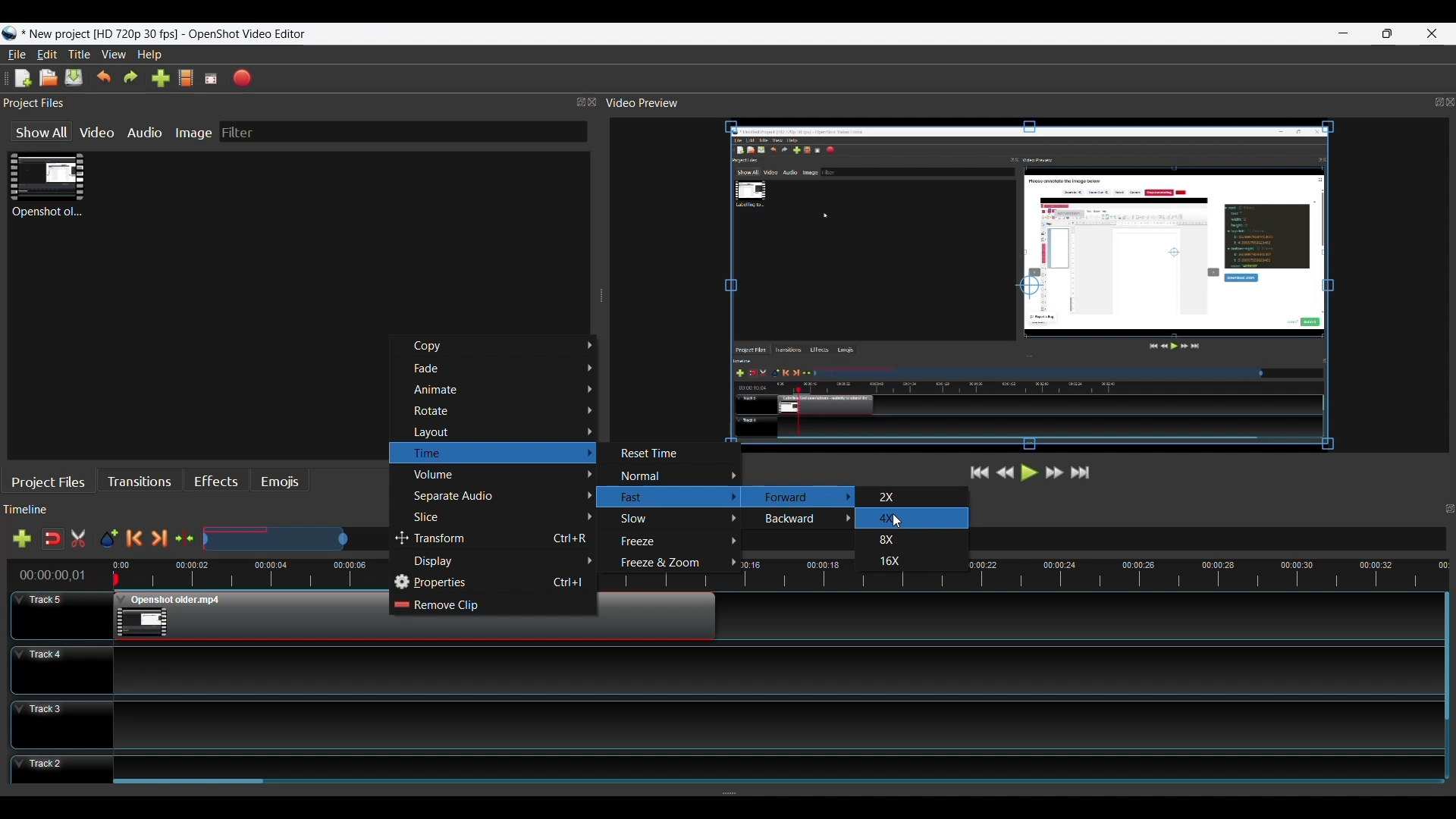 The height and width of the screenshot is (819, 1456). Describe the element at coordinates (501, 518) in the screenshot. I see `Slice` at that location.